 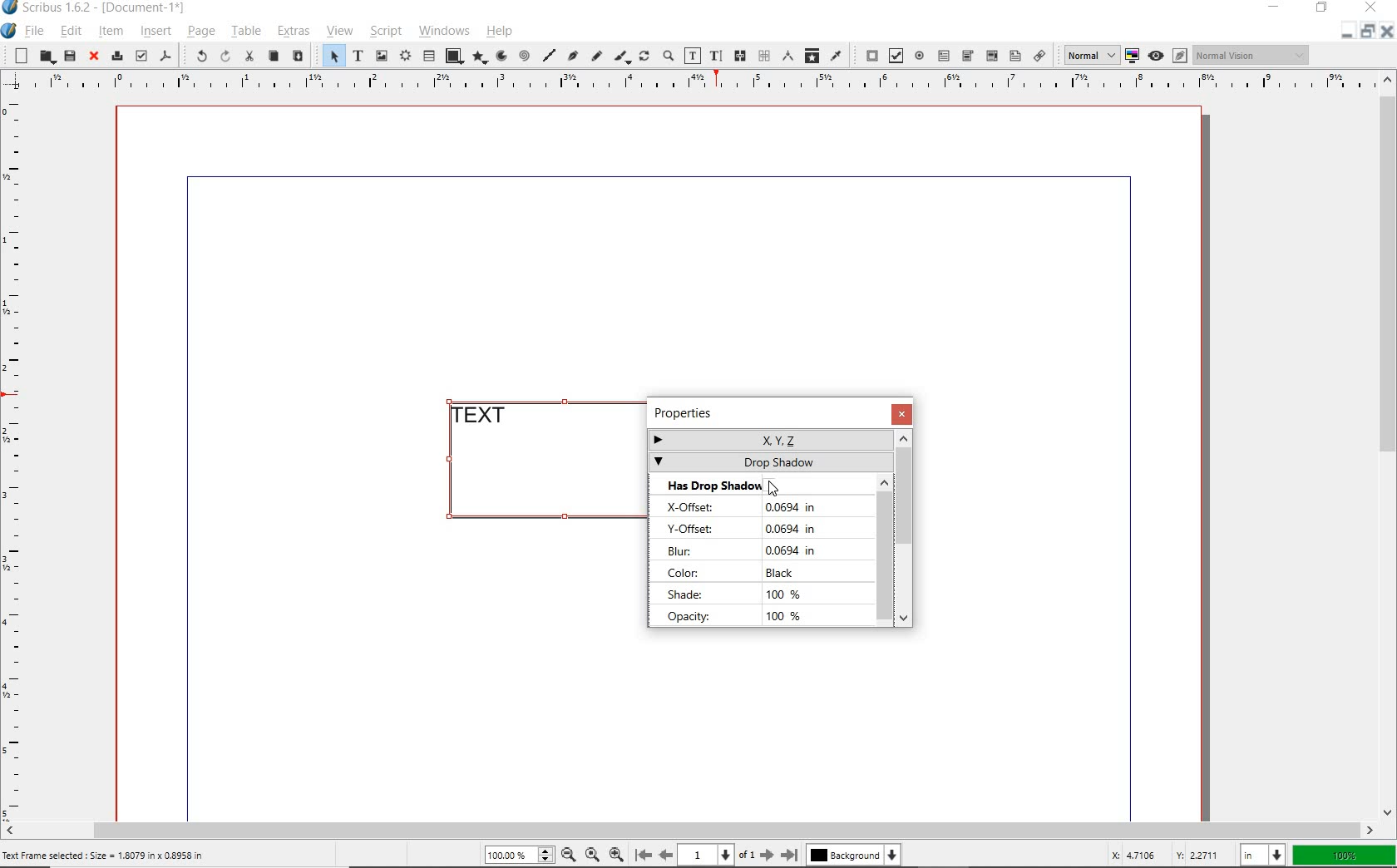 What do you see at coordinates (853, 856) in the screenshot?
I see `Background` at bounding box center [853, 856].